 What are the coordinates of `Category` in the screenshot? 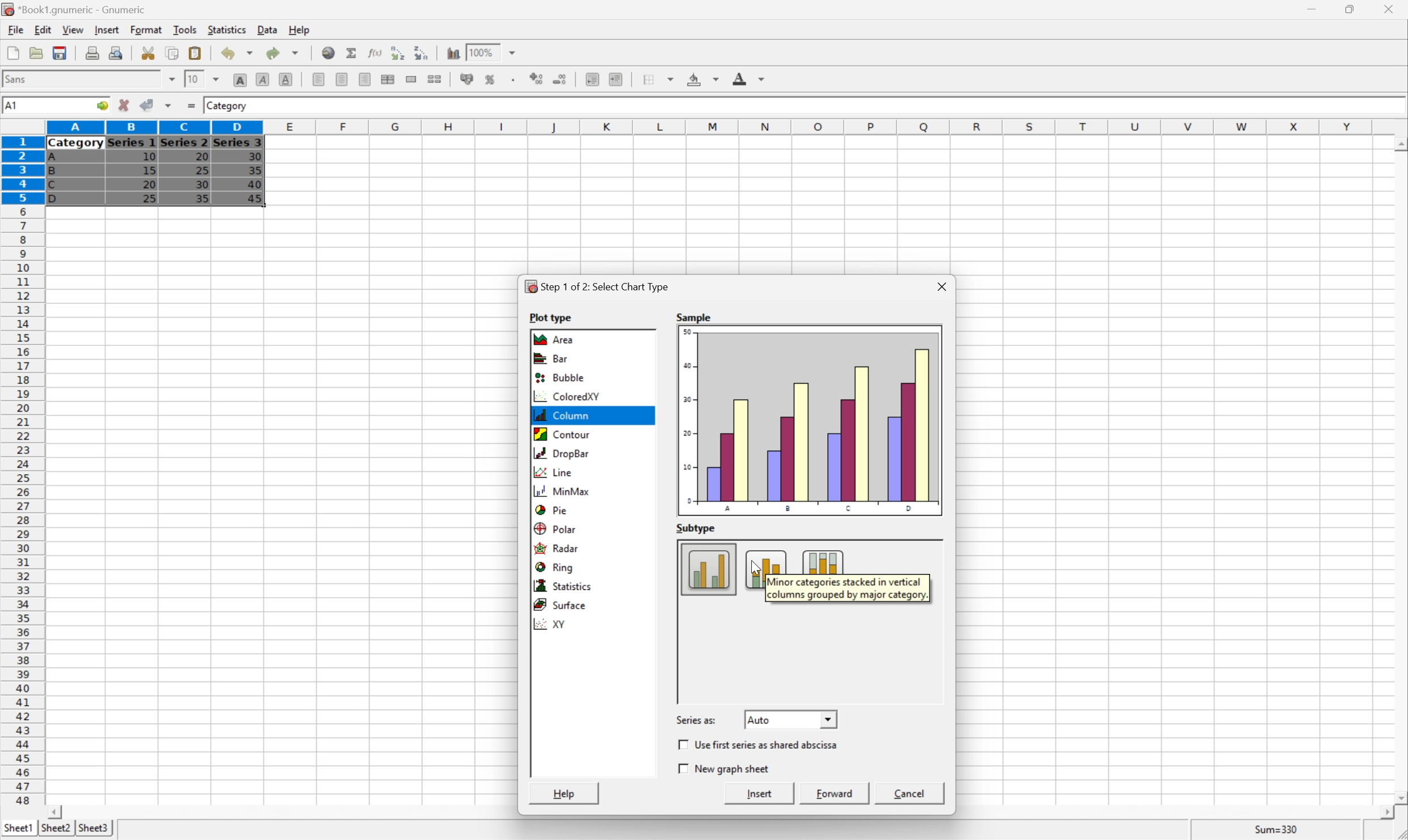 It's located at (228, 106).